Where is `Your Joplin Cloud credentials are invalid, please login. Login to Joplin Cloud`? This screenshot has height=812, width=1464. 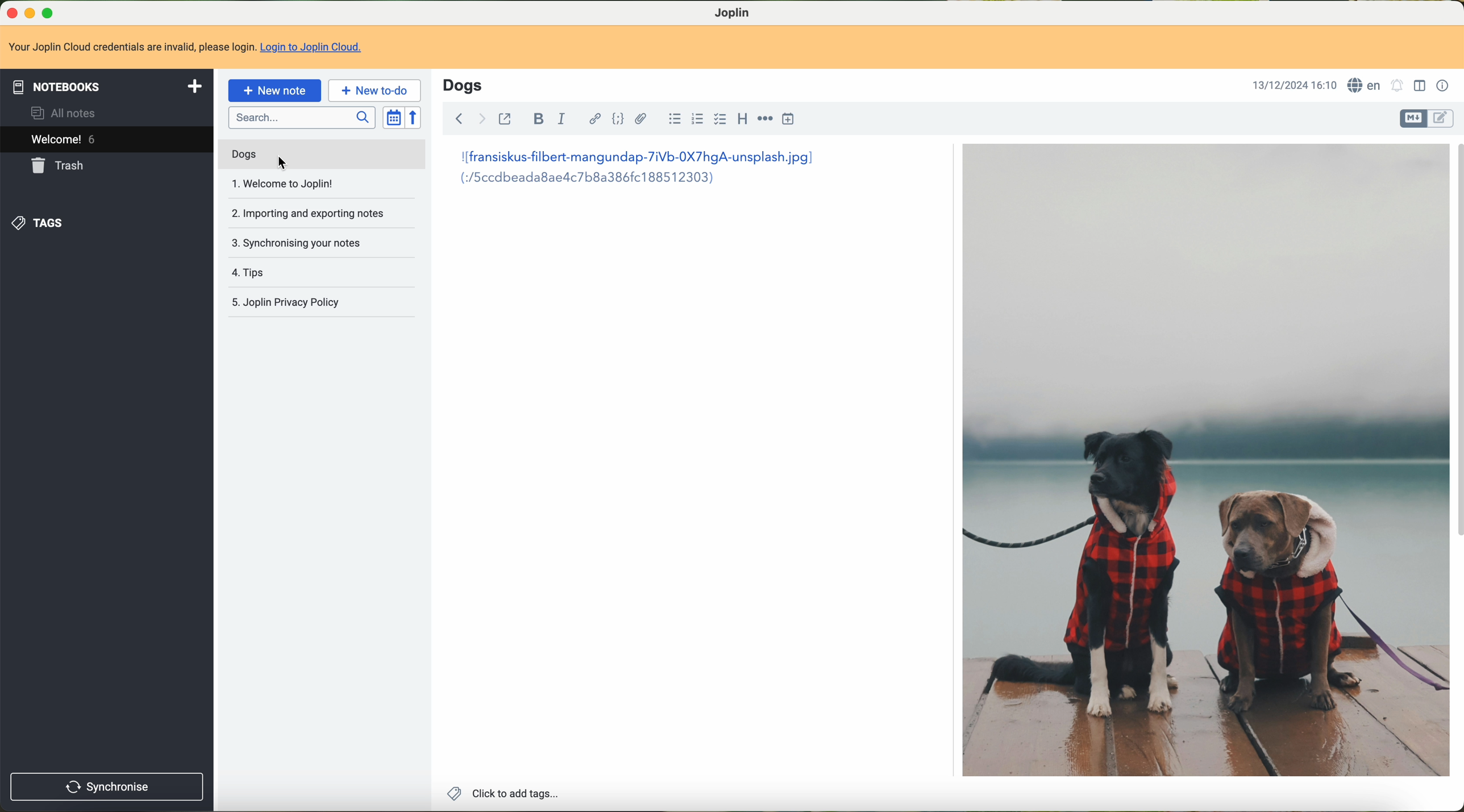
Your Joplin Cloud credentials are invalid, please login. Login to Joplin Cloud is located at coordinates (190, 48).